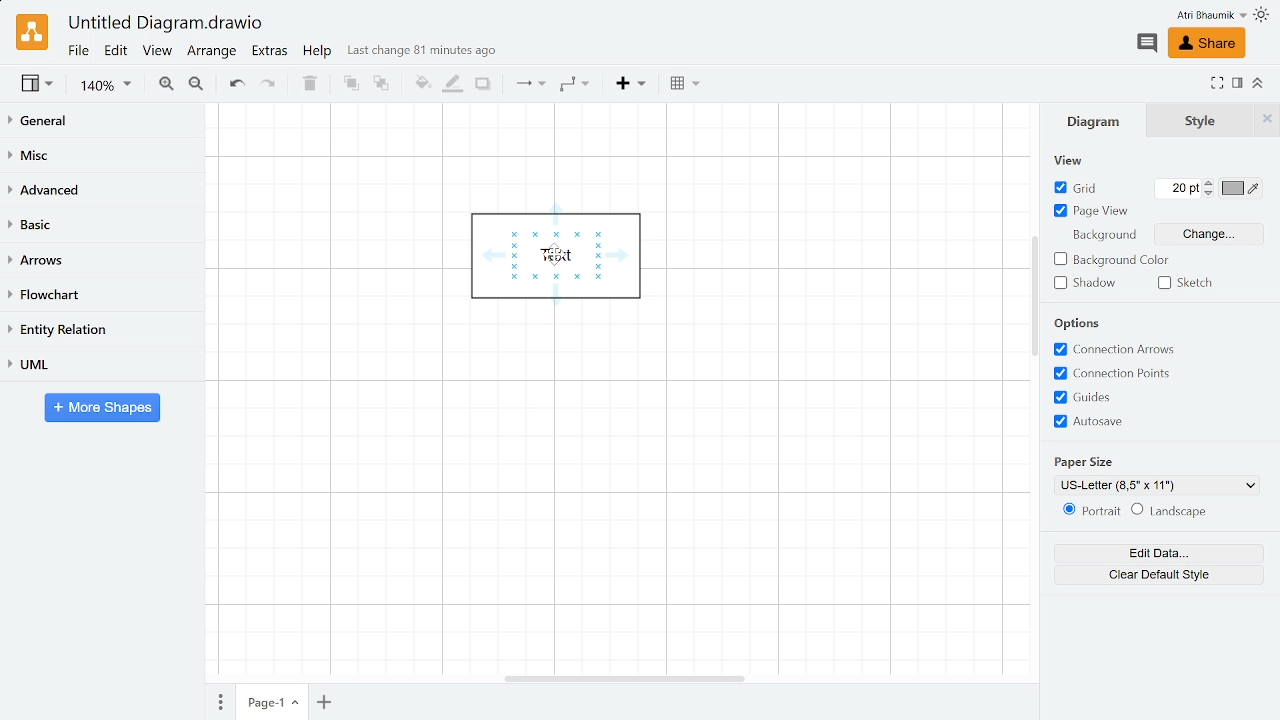 Image resolution: width=1280 pixels, height=720 pixels. I want to click on Background color, so click(1114, 260).